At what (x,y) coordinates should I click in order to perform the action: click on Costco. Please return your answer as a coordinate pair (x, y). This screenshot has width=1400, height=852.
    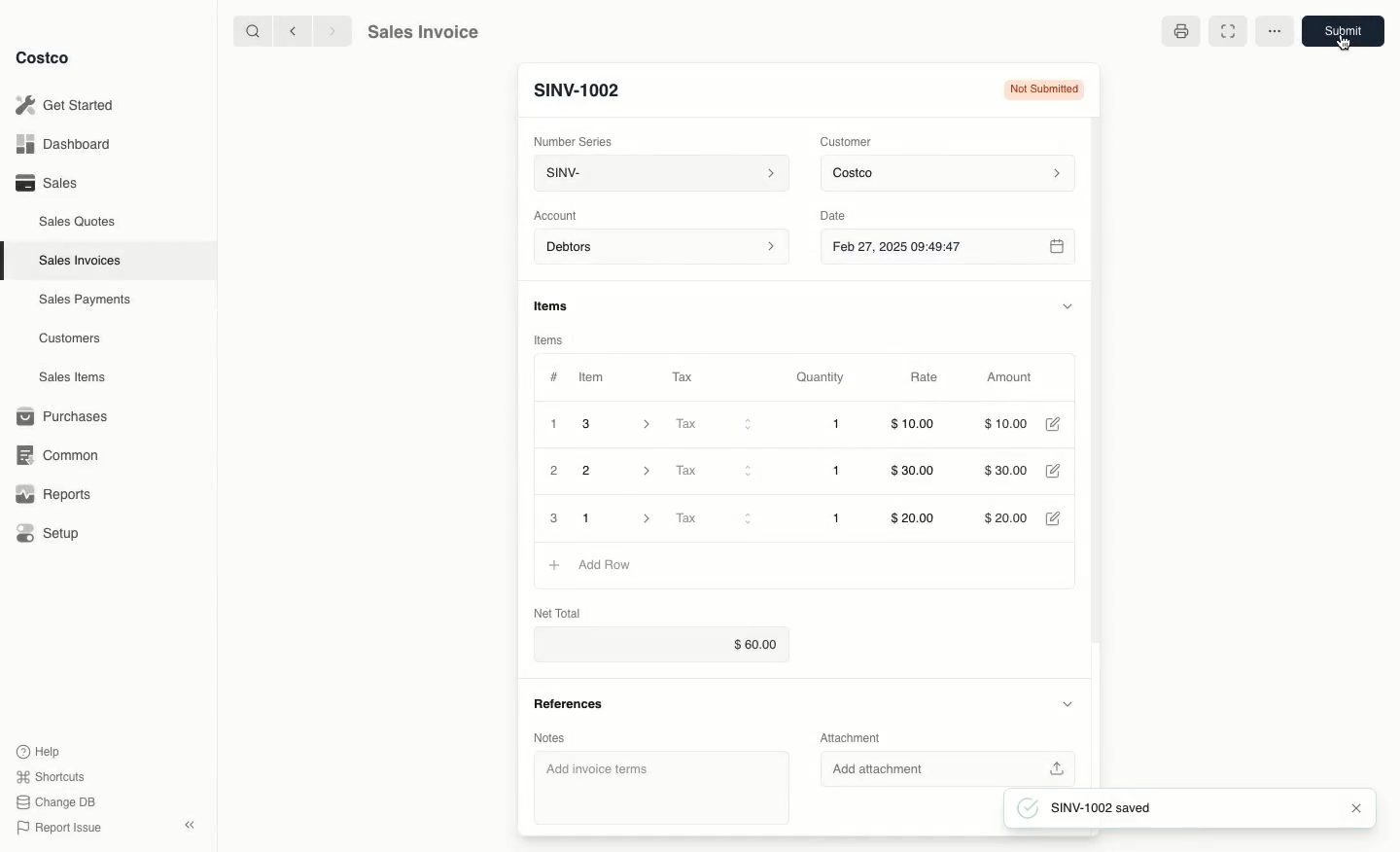
    Looking at the image, I should click on (44, 58).